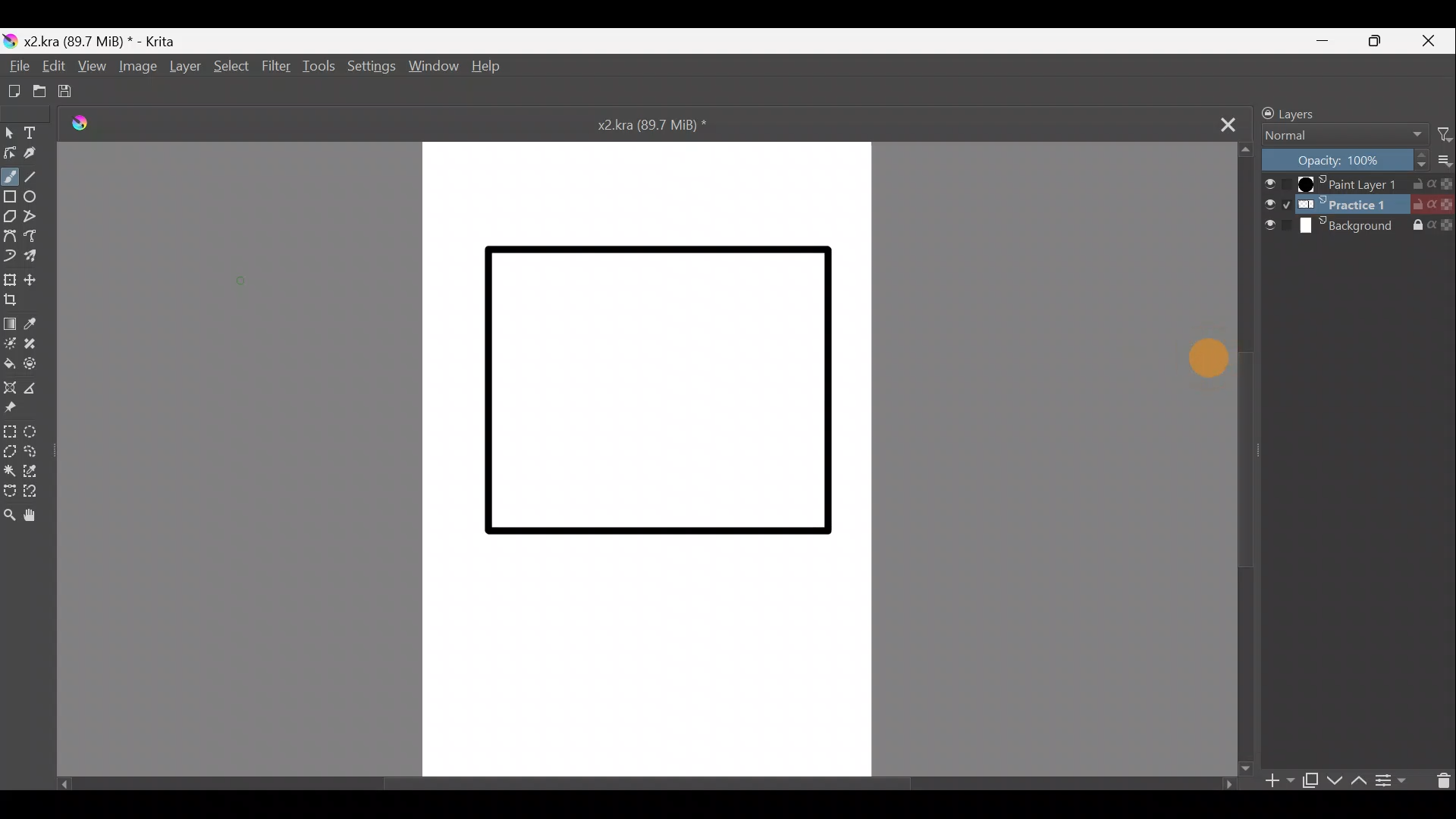  Describe the element at coordinates (9, 491) in the screenshot. I see `Bezier curve selection tool` at that location.